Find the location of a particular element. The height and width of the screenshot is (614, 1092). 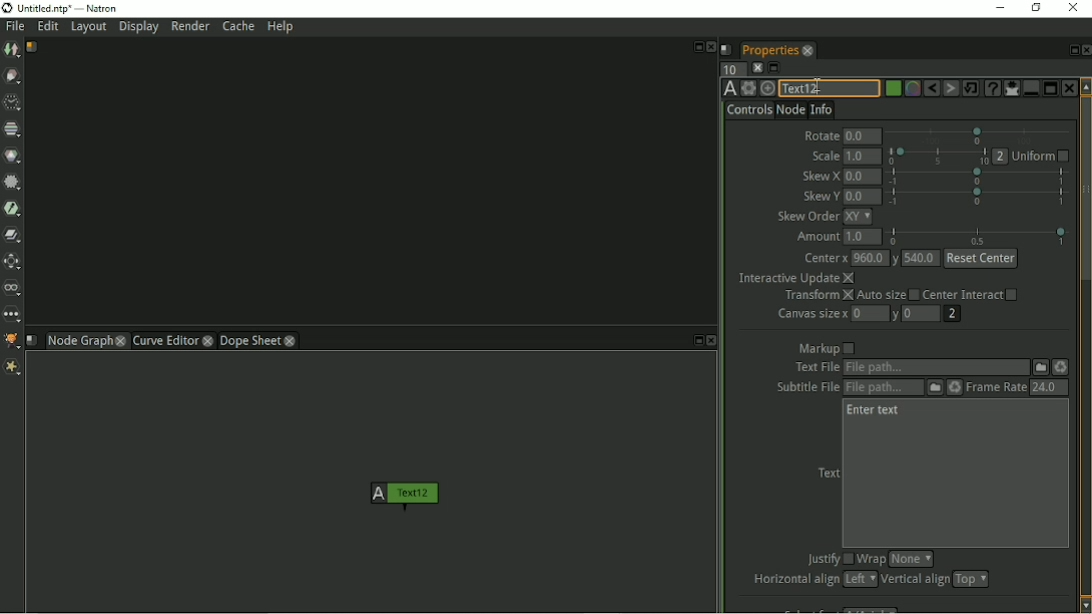

Horizontal align is located at coordinates (793, 580).